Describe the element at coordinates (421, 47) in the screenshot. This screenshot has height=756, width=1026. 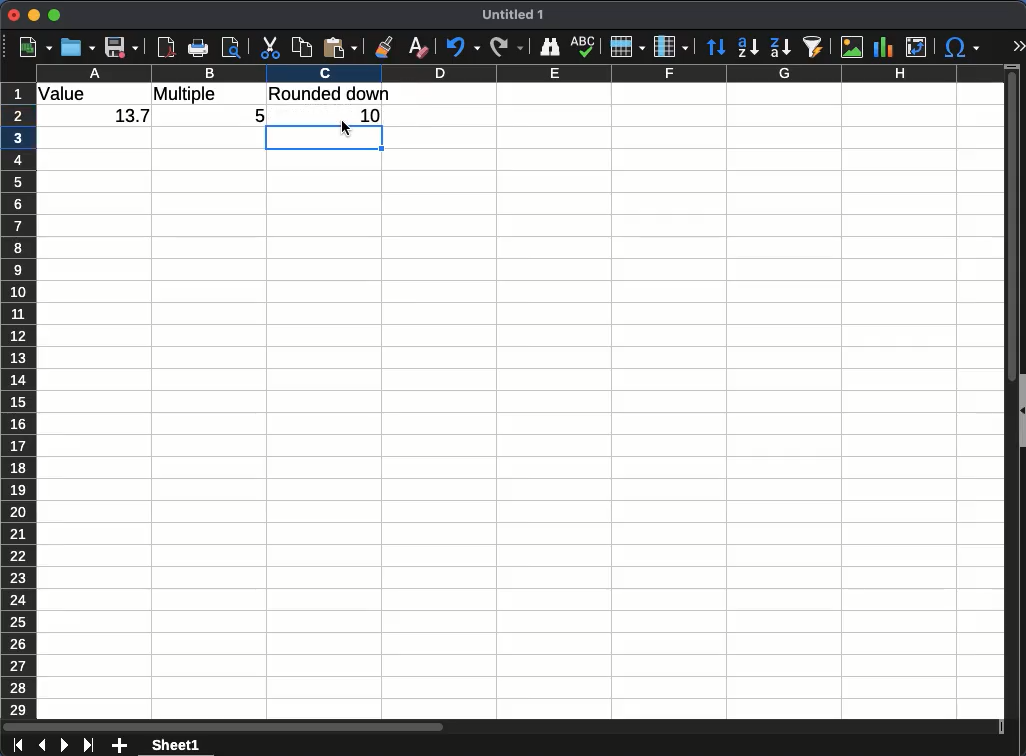
I see `clear formatting` at that location.